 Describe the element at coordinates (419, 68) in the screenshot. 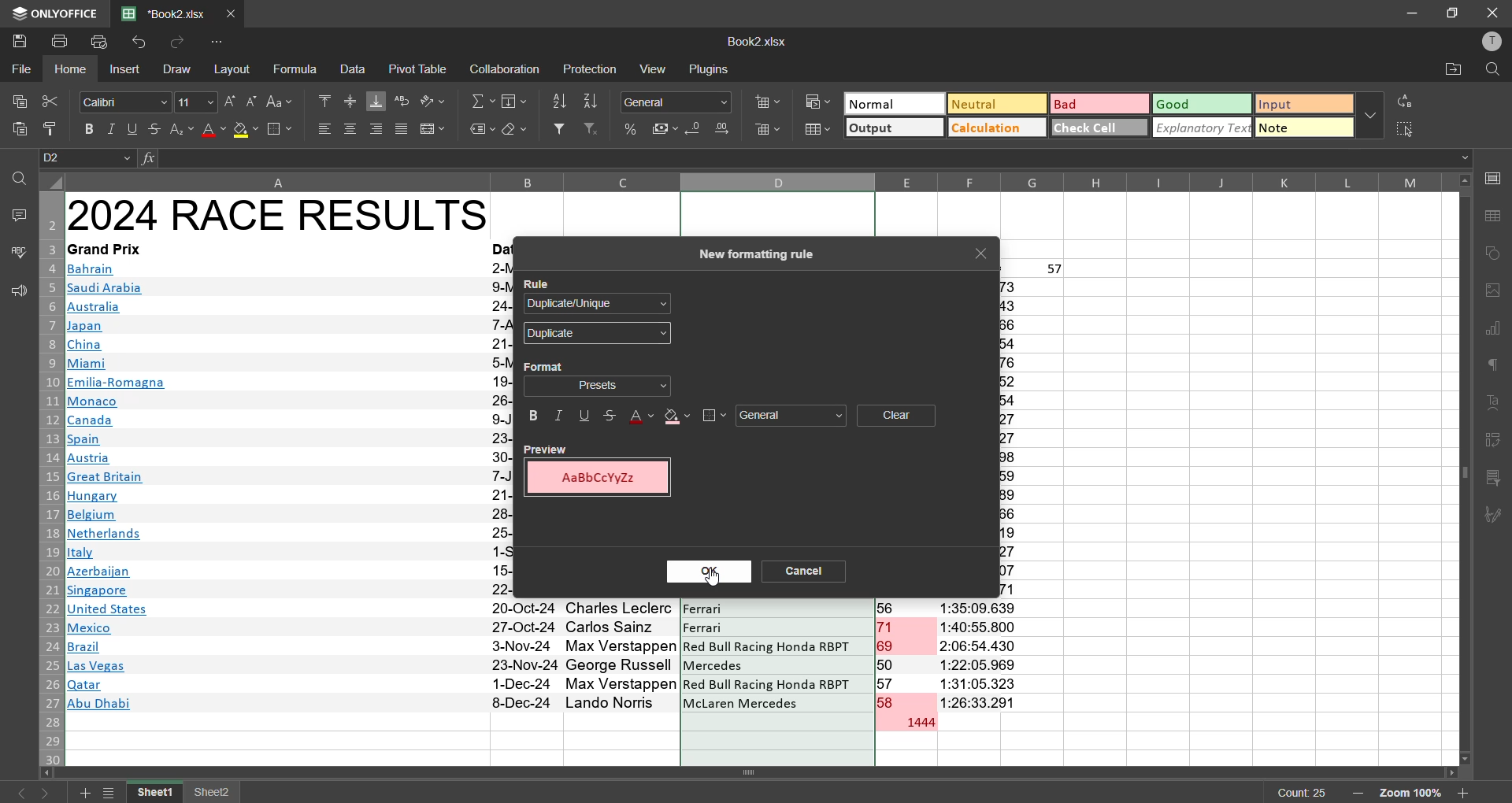

I see `pivot table` at that location.